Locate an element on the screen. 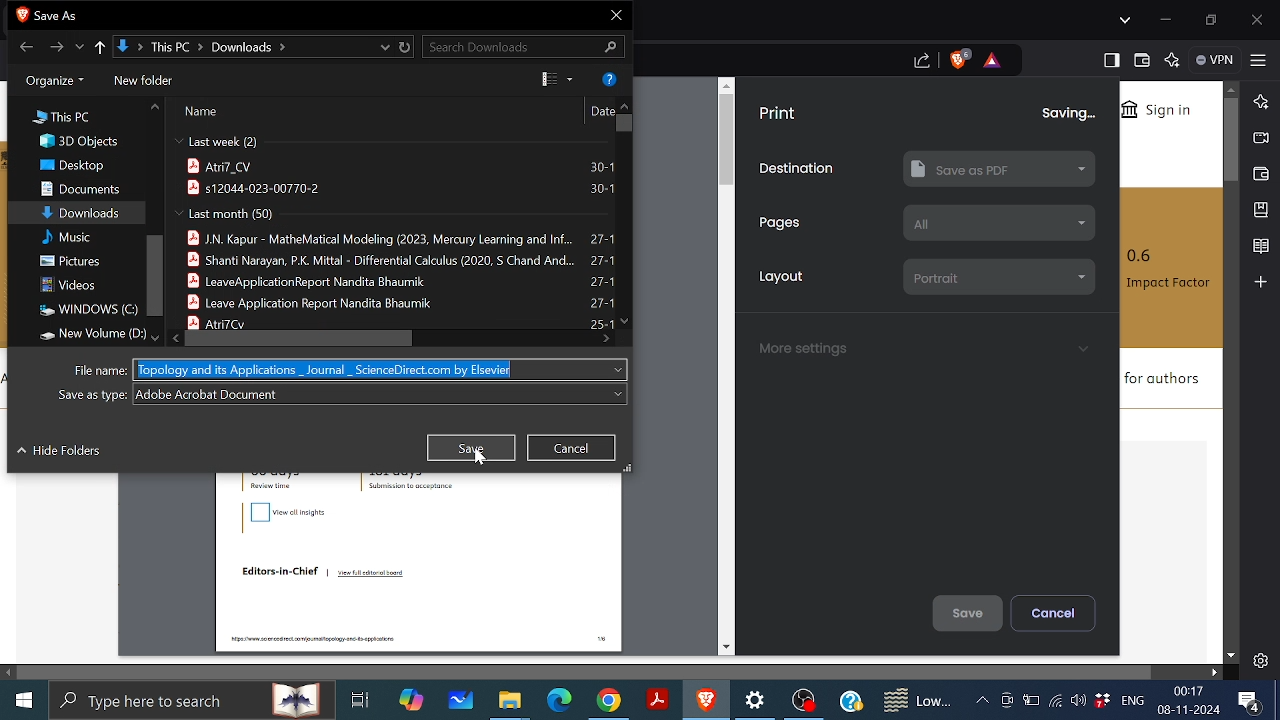  Add bookmark is located at coordinates (1261, 210).